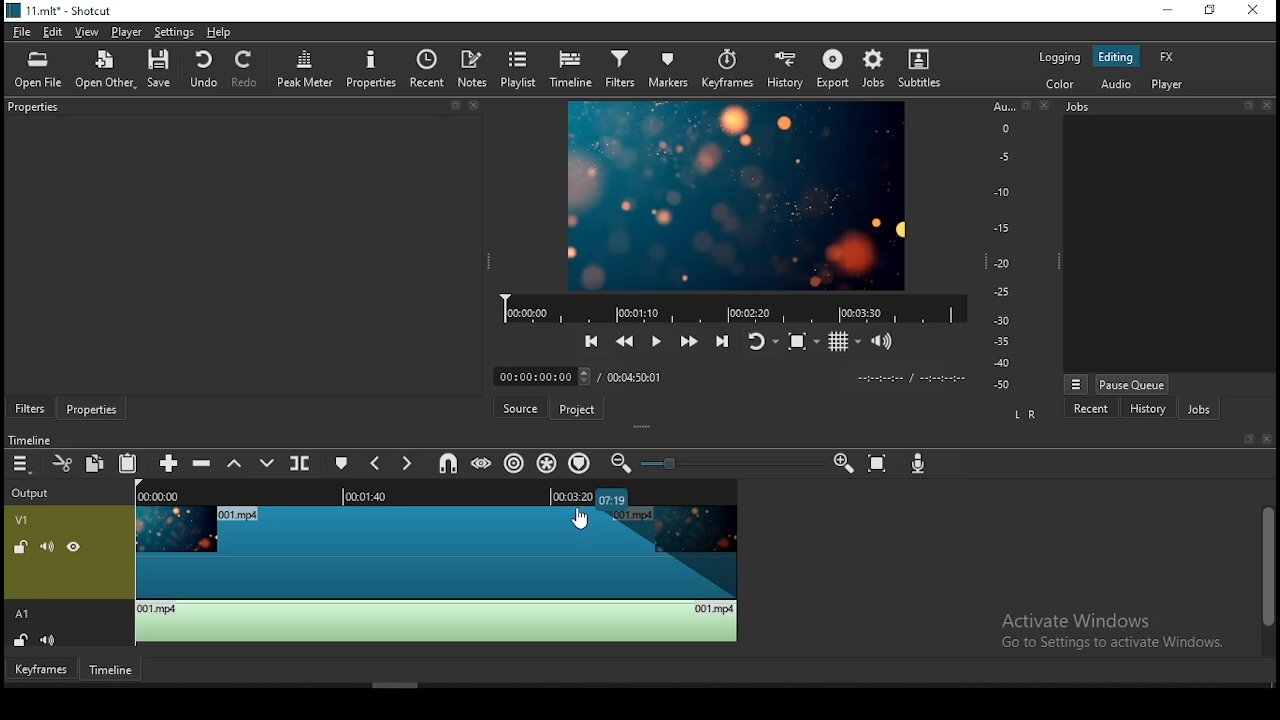 The image size is (1280, 720). What do you see at coordinates (727, 65) in the screenshot?
I see `keyframes` at bounding box center [727, 65].